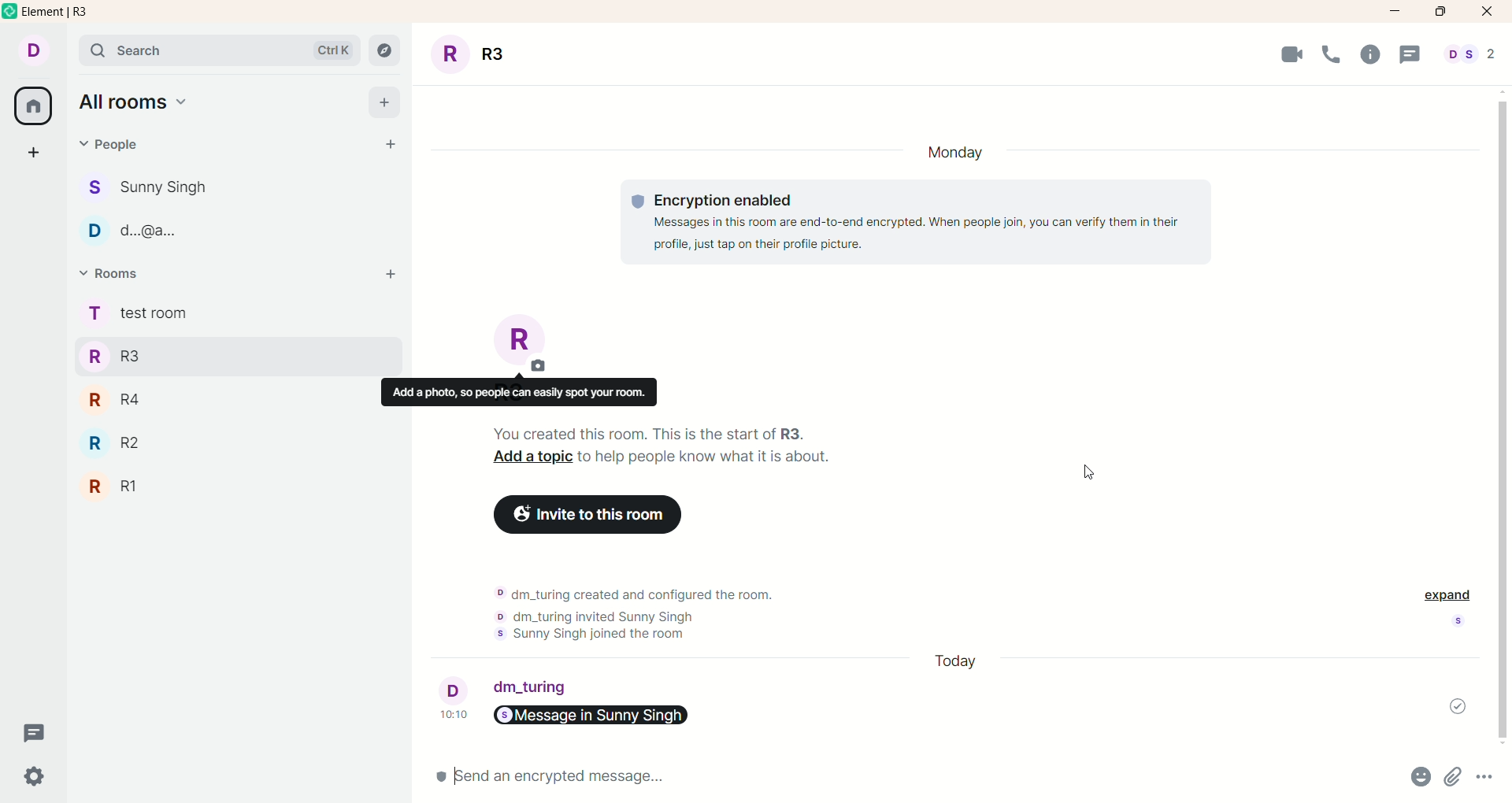 The height and width of the screenshot is (803, 1512). What do you see at coordinates (34, 735) in the screenshot?
I see `threads` at bounding box center [34, 735].